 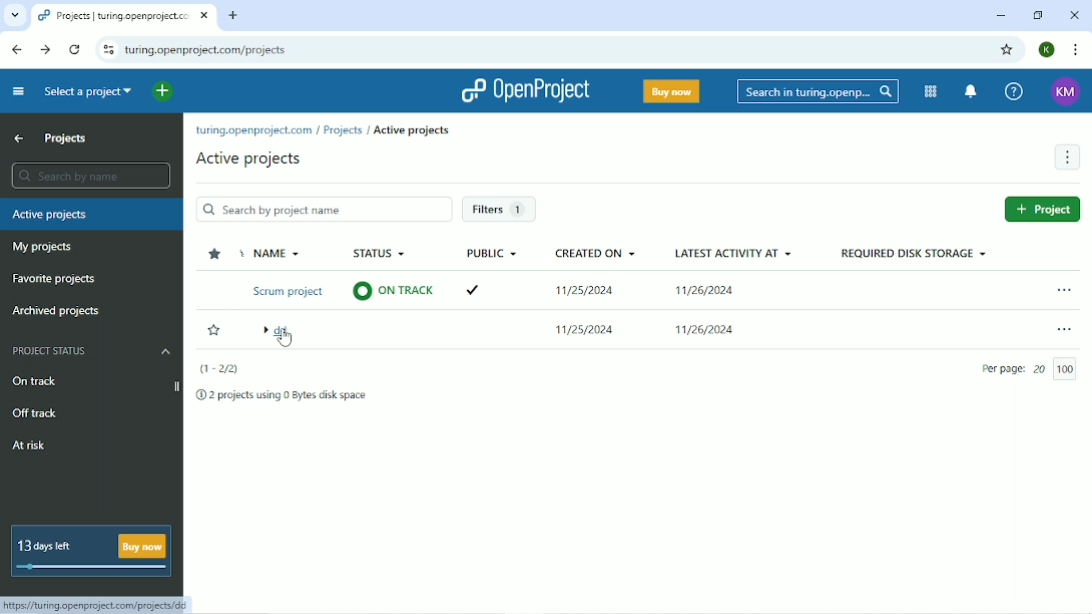 What do you see at coordinates (598, 252) in the screenshot?
I see `Created on` at bounding box center [598, 252].